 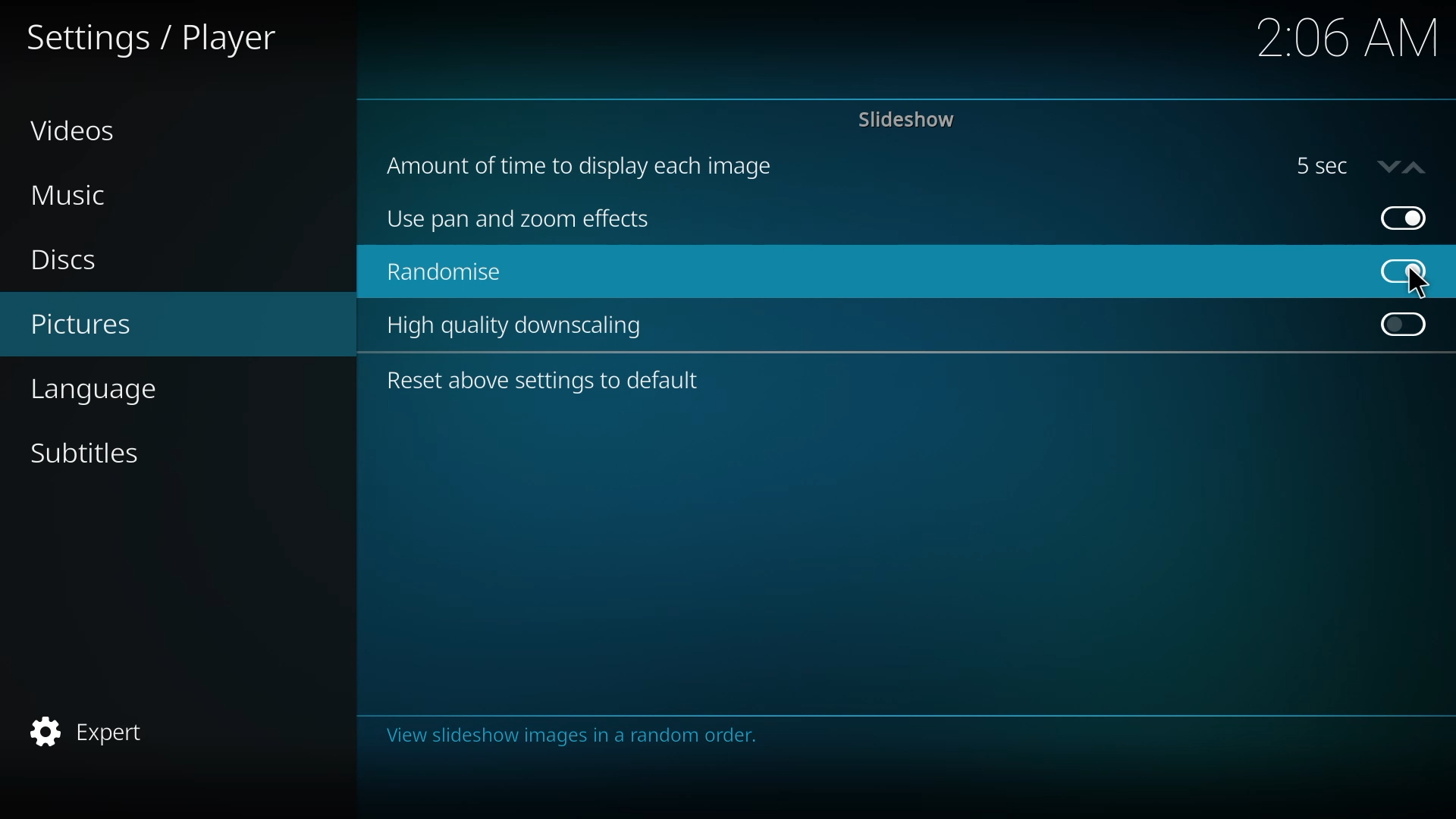 What do you see at coordinates (92, 730) in the screenshot?
I see `expert` at bounding box center [92, 730].